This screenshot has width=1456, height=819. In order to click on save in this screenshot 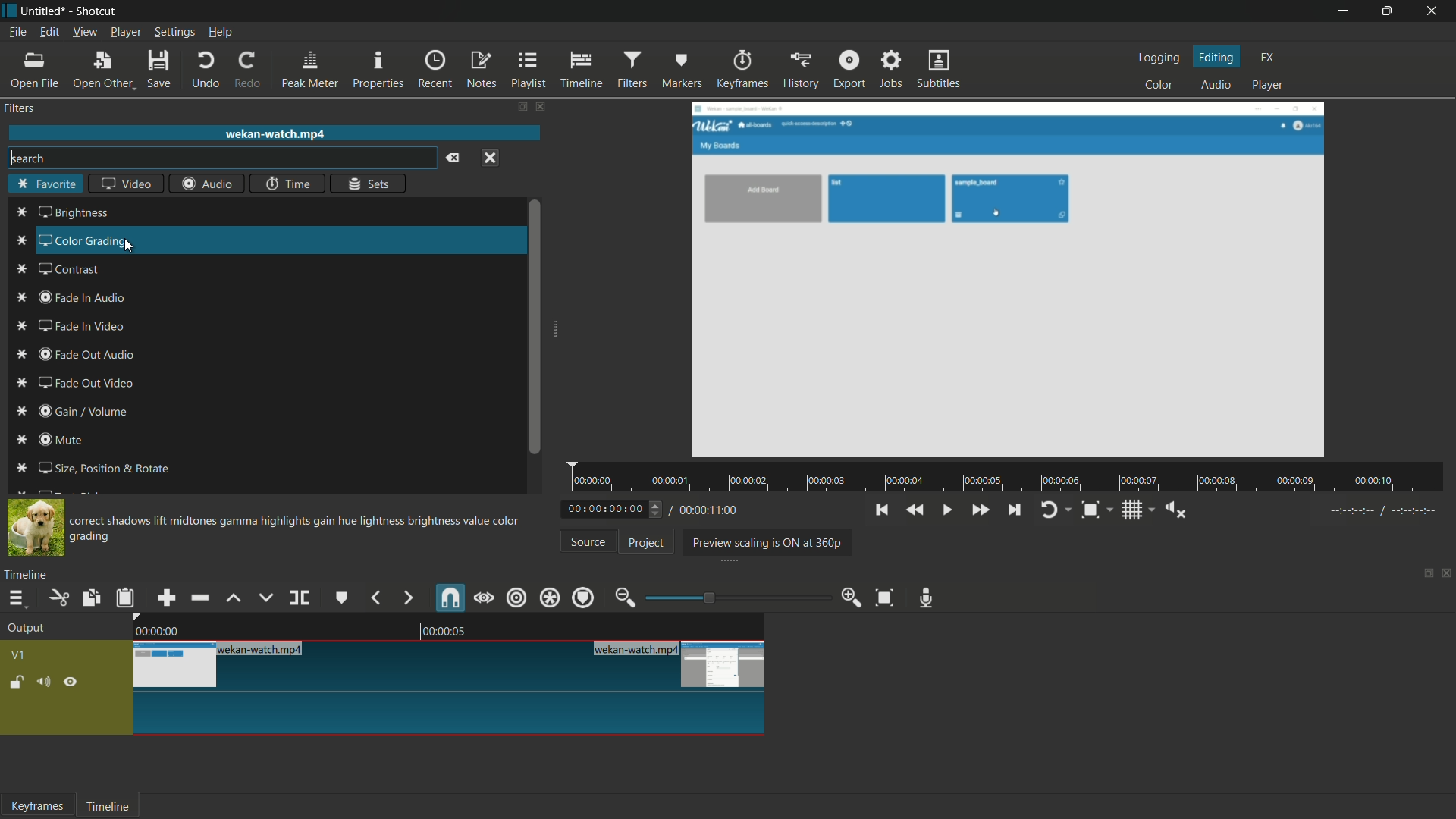, I will do `click(162, 69)`.